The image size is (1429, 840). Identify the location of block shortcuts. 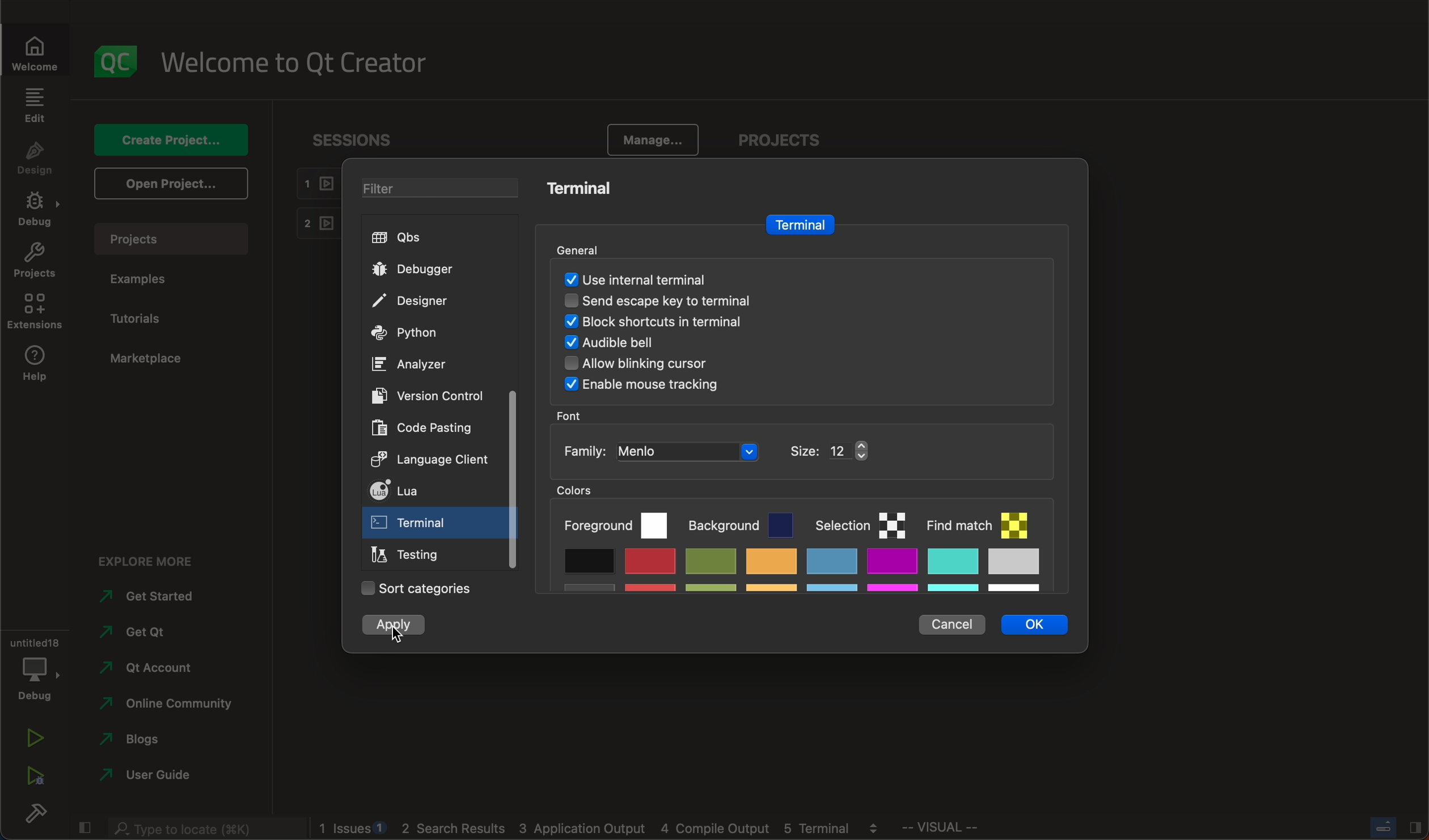
(681, 321).